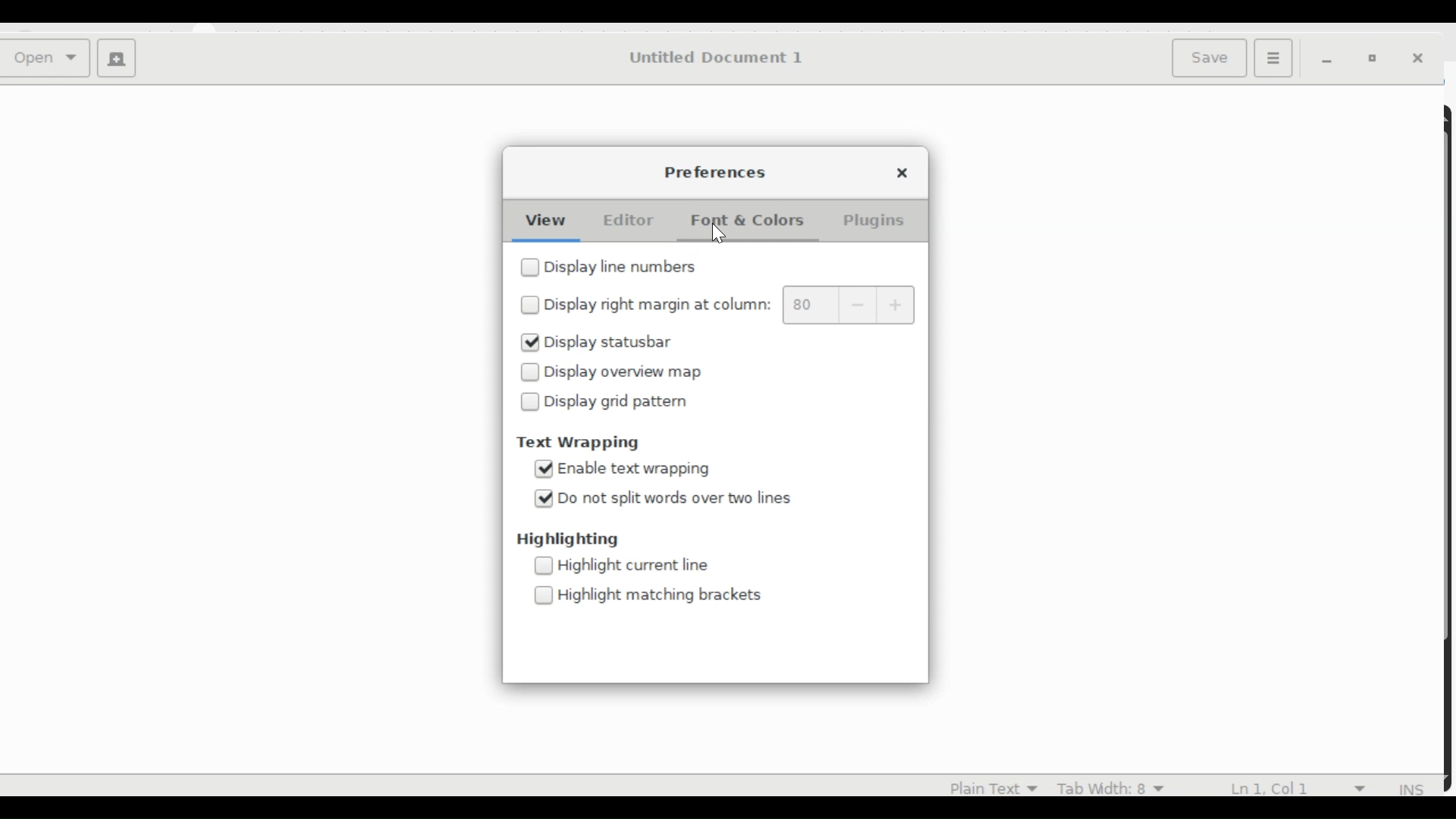  Describe the element at coordinates (545, 595) in the screenshot. I see `checkbox` at that location.